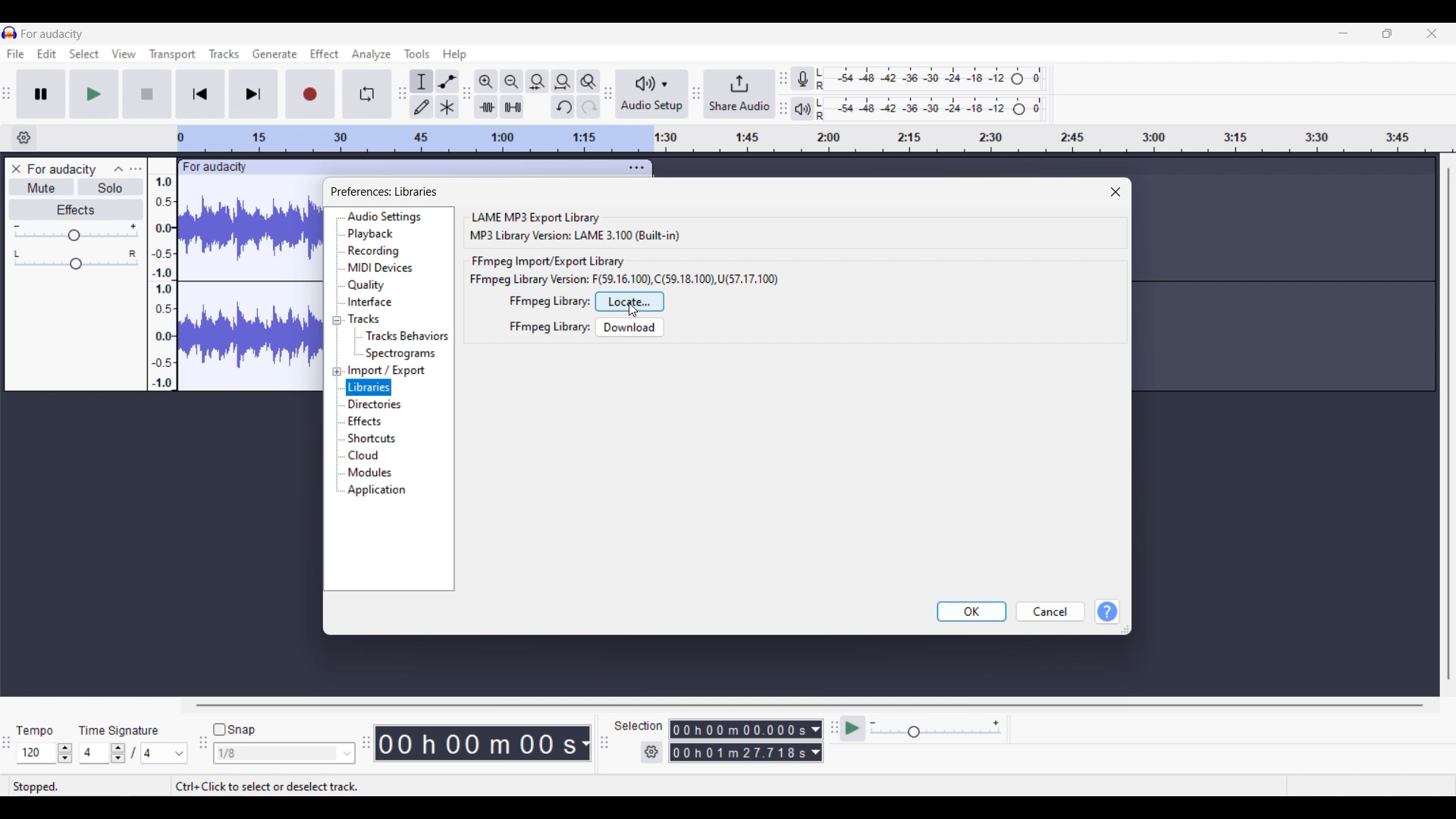 Image resolution: width=1456 pixels, height=819 pixels. I want to click on Envelop tool, so click(447, 81).